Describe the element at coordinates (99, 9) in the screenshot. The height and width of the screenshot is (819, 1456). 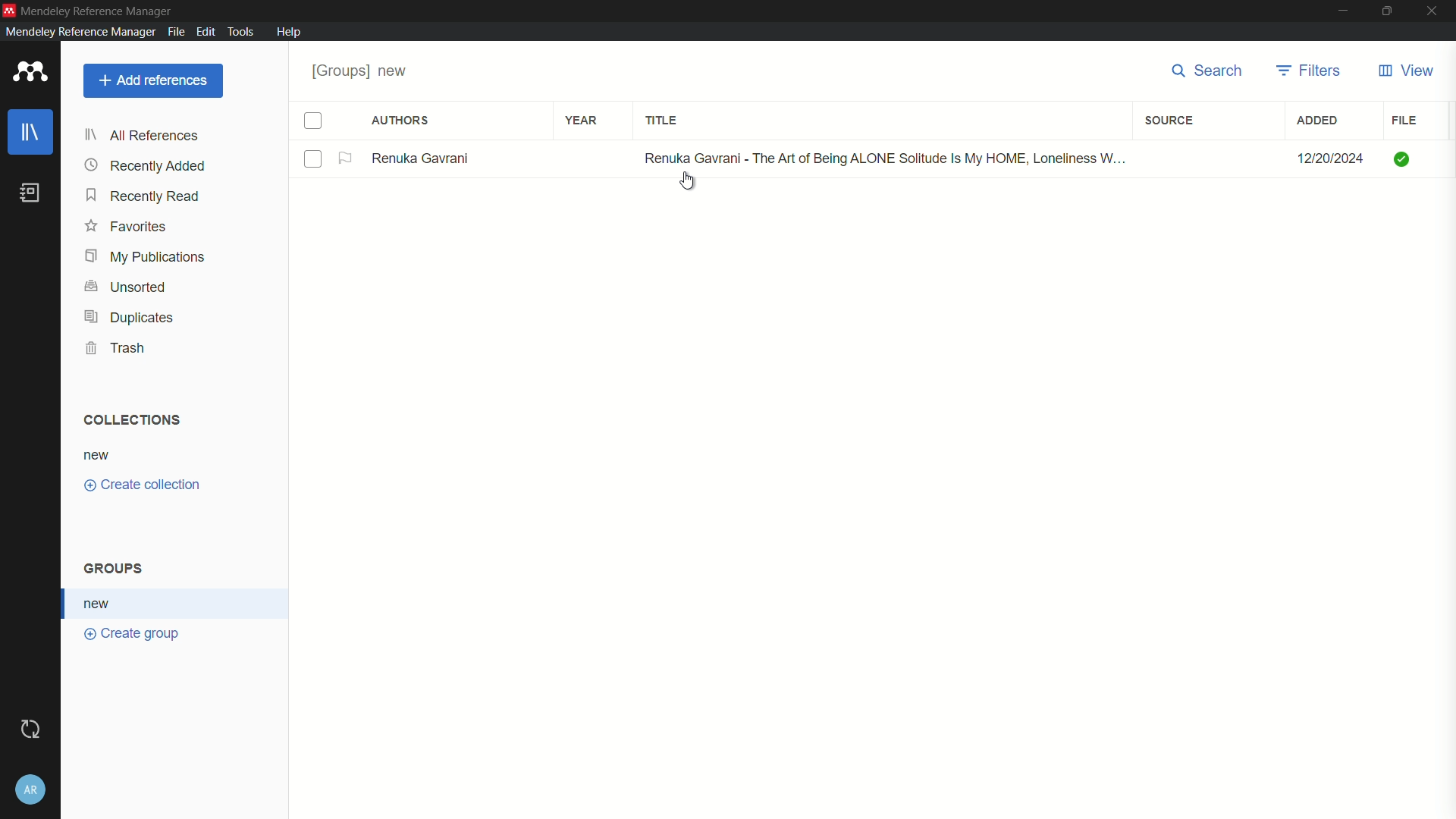
I see `app name` at that location.